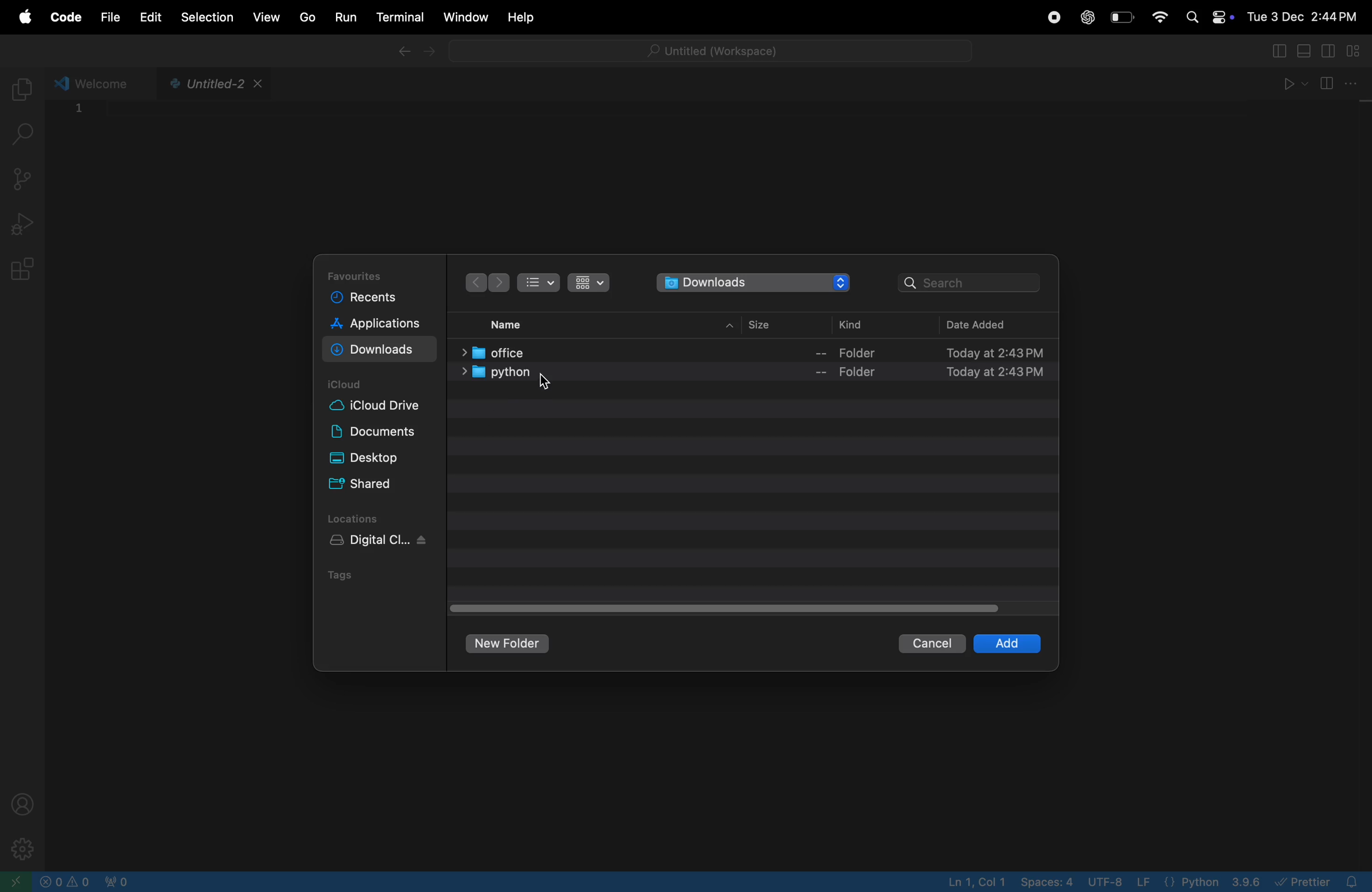  I want to click on chatgpt, so click(1088, 18).